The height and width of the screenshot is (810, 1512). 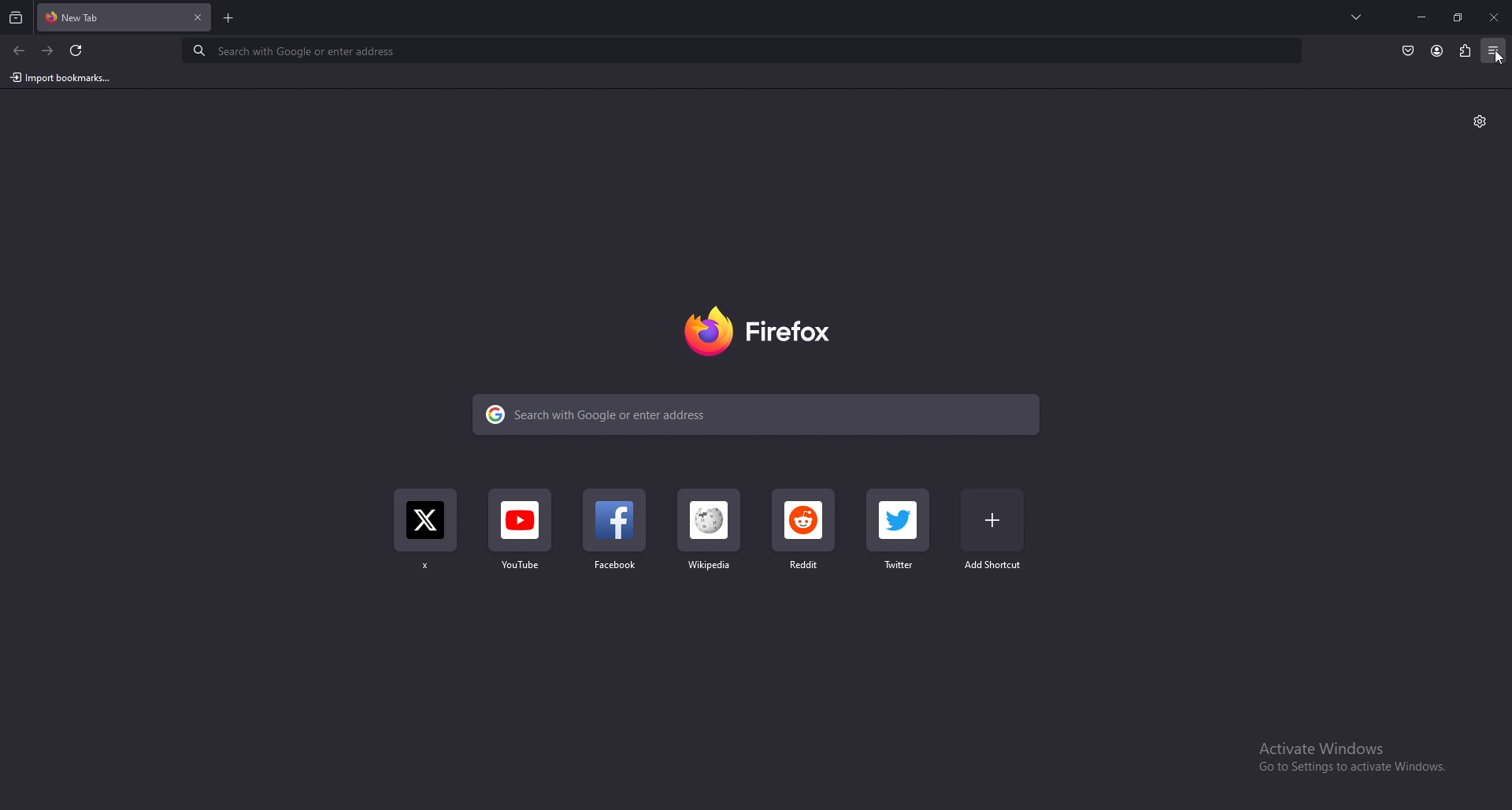 I want to click on refresh, so click(x=77, y=50).